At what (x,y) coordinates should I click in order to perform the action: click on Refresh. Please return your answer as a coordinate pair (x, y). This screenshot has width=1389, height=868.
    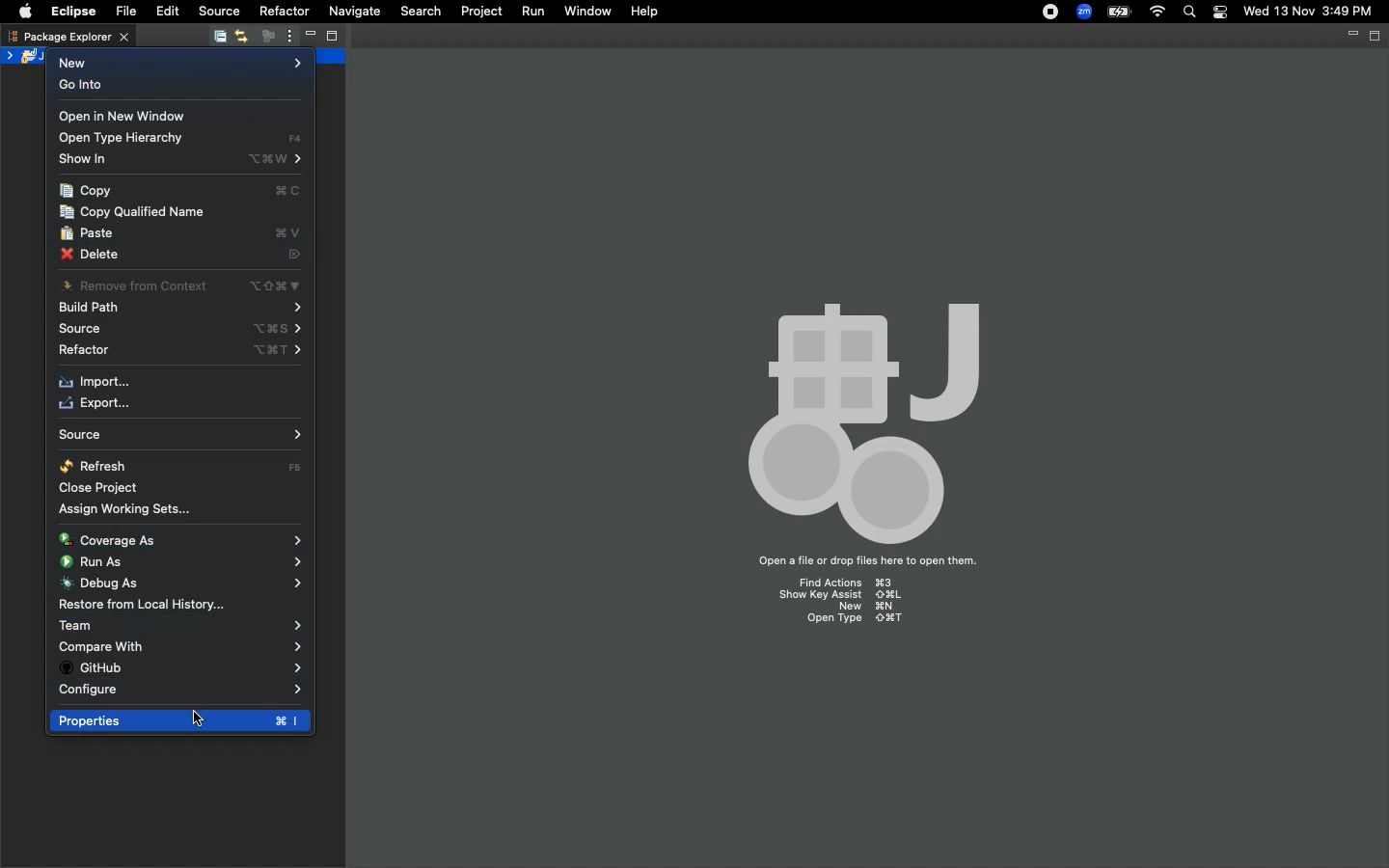
    Looking at the image, I should click on (181, 465).